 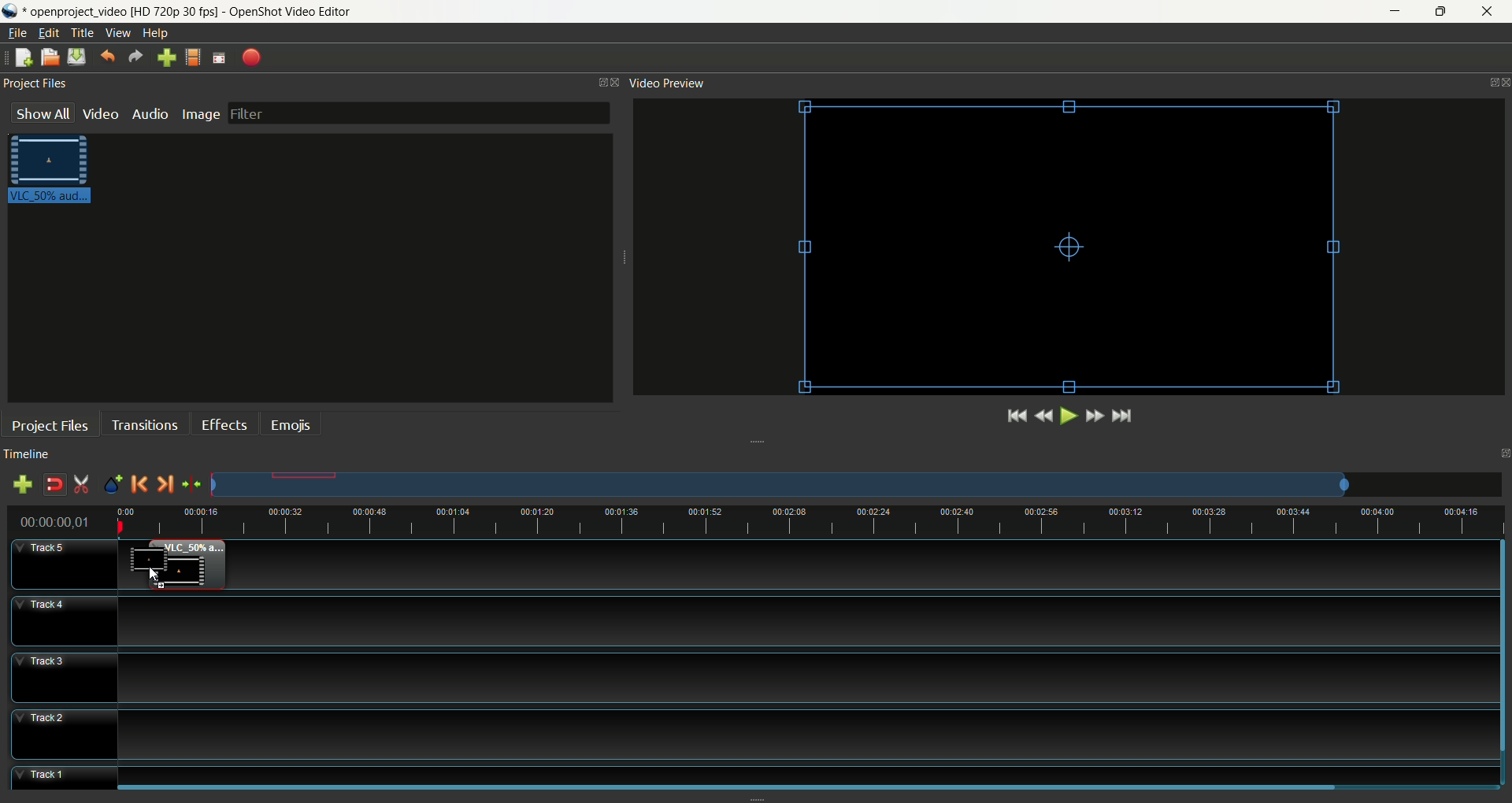 I want to click on add track, so click(x=23, y=485).